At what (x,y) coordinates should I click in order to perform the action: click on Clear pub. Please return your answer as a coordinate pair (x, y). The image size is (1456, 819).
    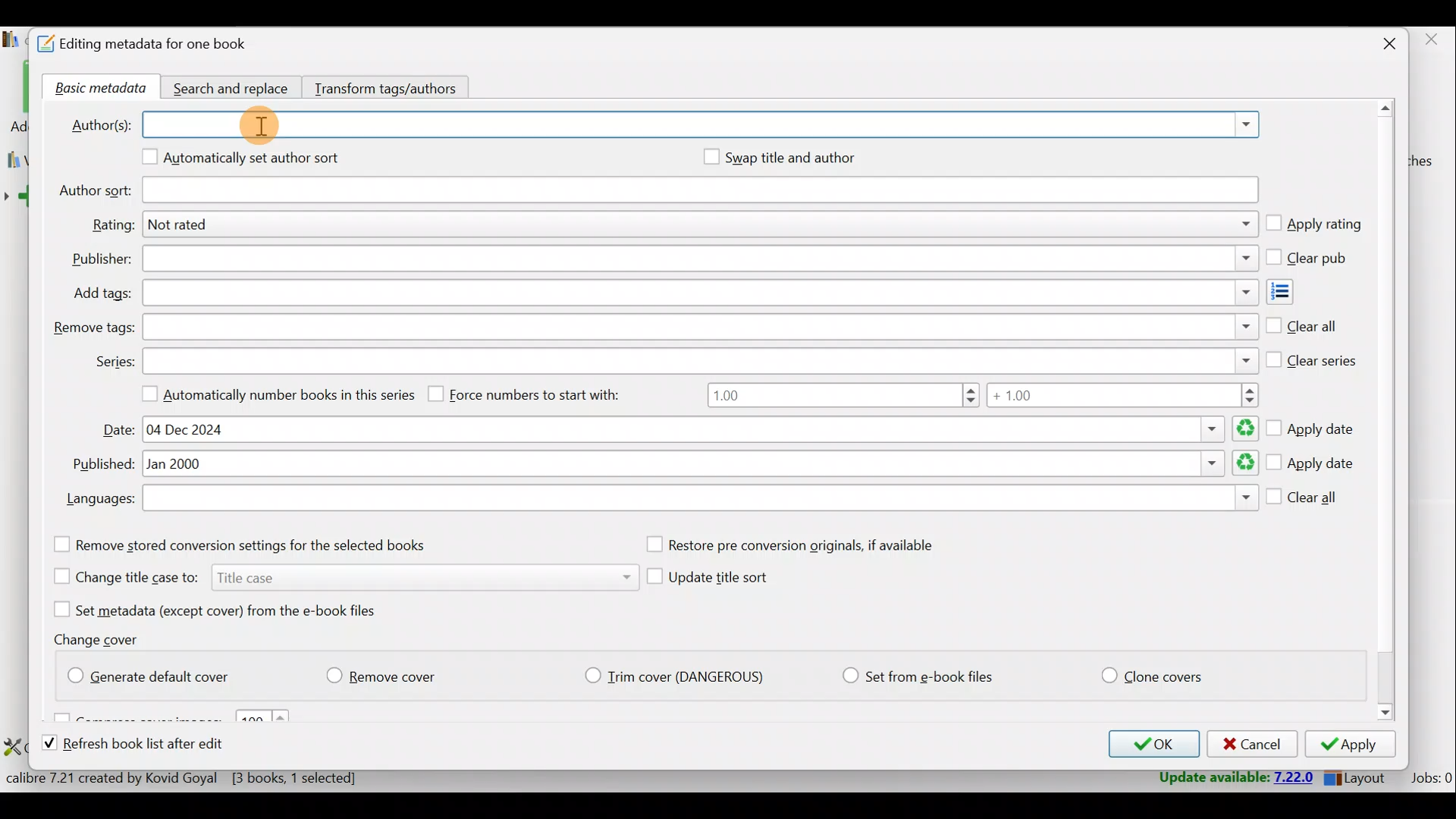
    Looking at the image, I should click on (1310, 259).